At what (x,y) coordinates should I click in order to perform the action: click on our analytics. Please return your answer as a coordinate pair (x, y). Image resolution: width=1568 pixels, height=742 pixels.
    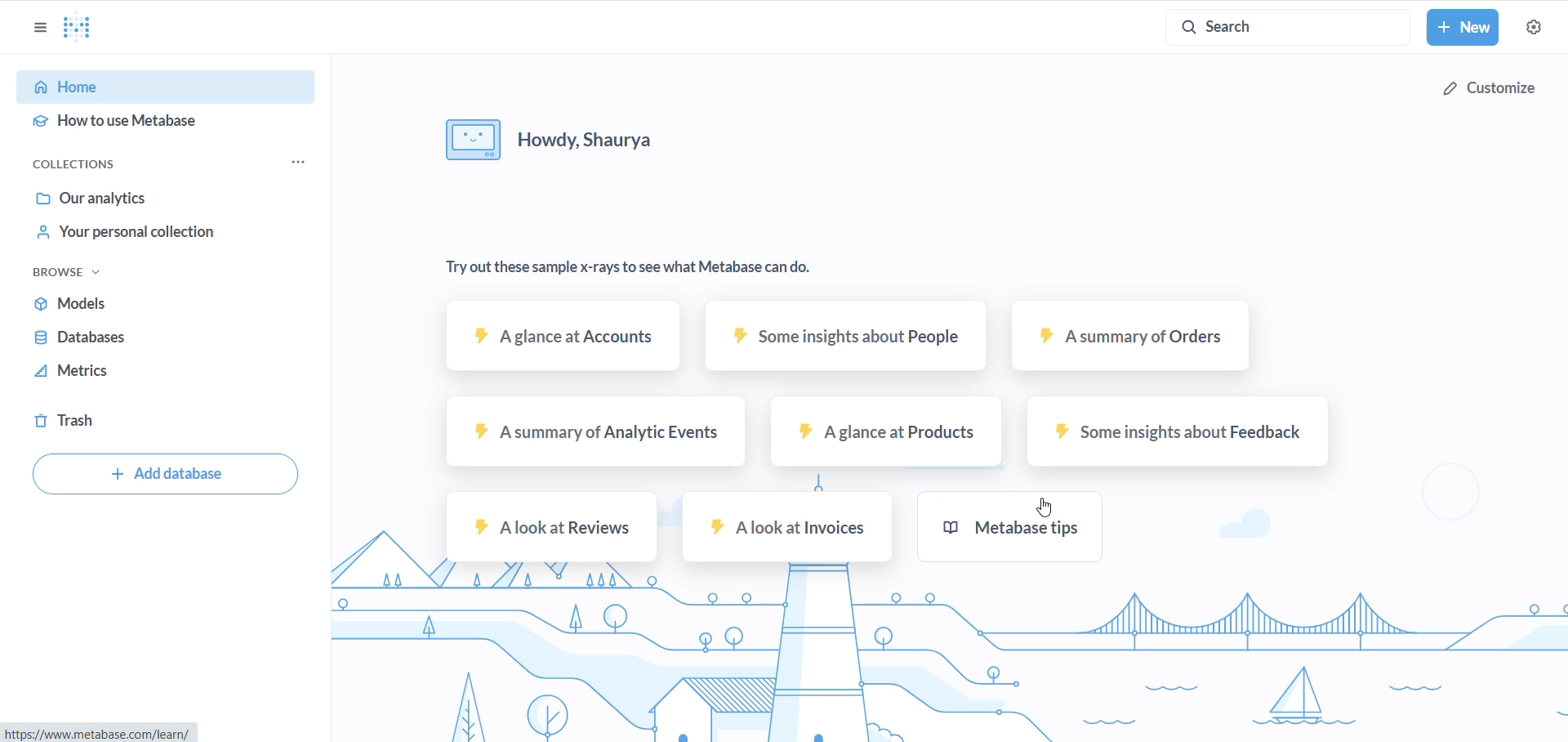
    Looking at the image, I should click on (116, 198).